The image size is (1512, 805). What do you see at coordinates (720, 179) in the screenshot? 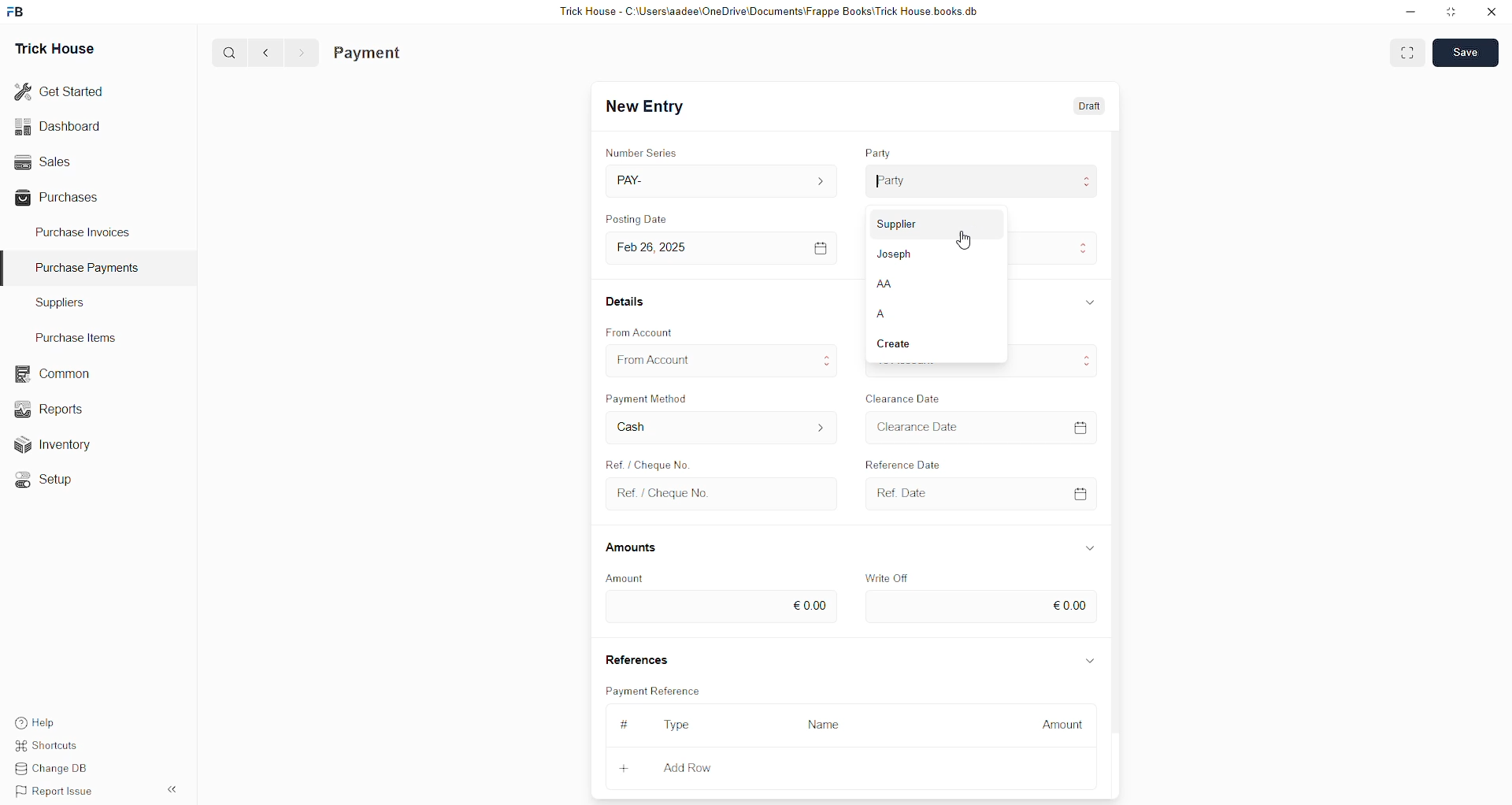
I see `PAY-` at bounding box center [720, 179].